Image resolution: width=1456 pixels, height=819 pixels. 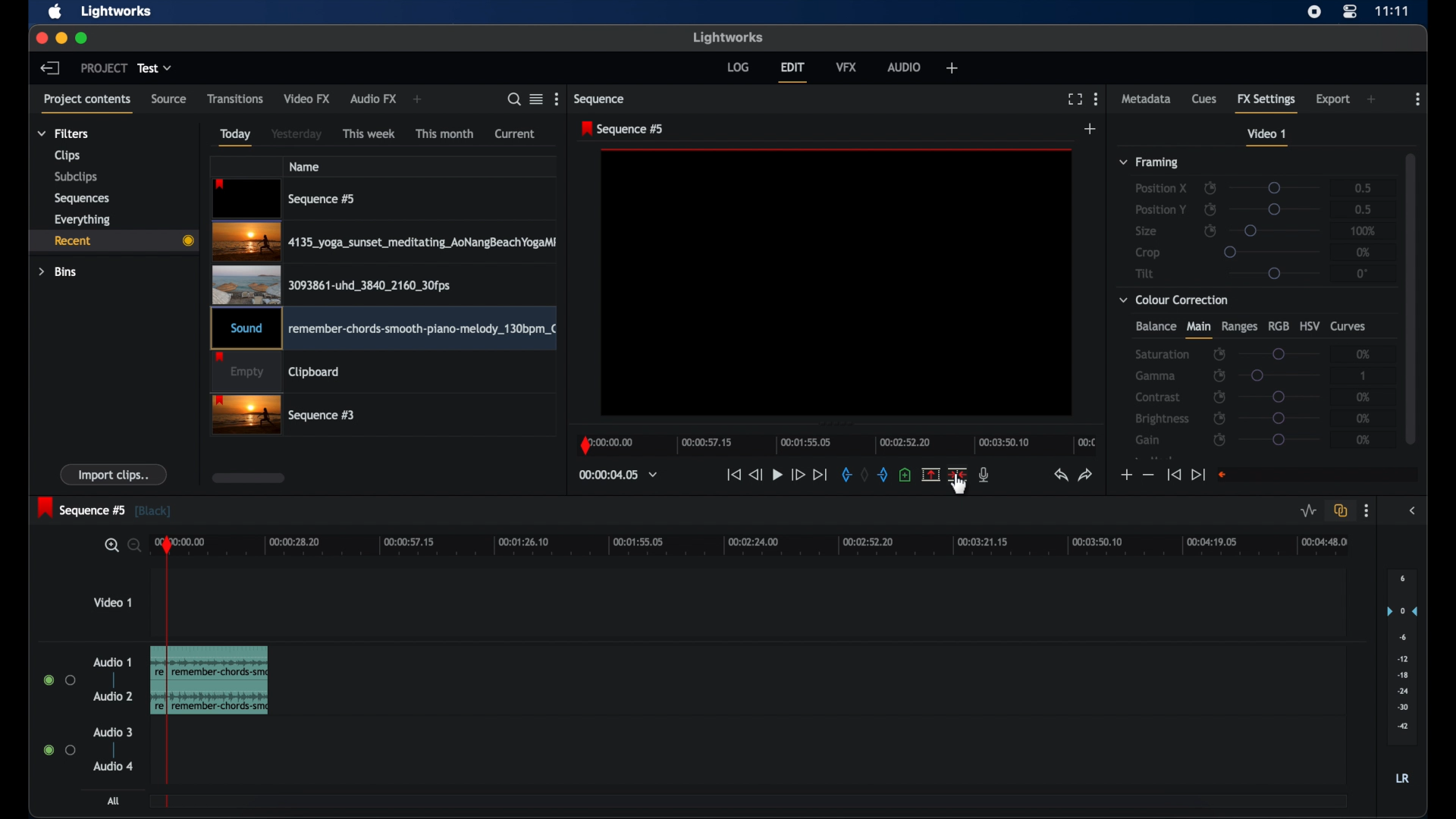 I want to click on maximize, so click(x=82, y=39).